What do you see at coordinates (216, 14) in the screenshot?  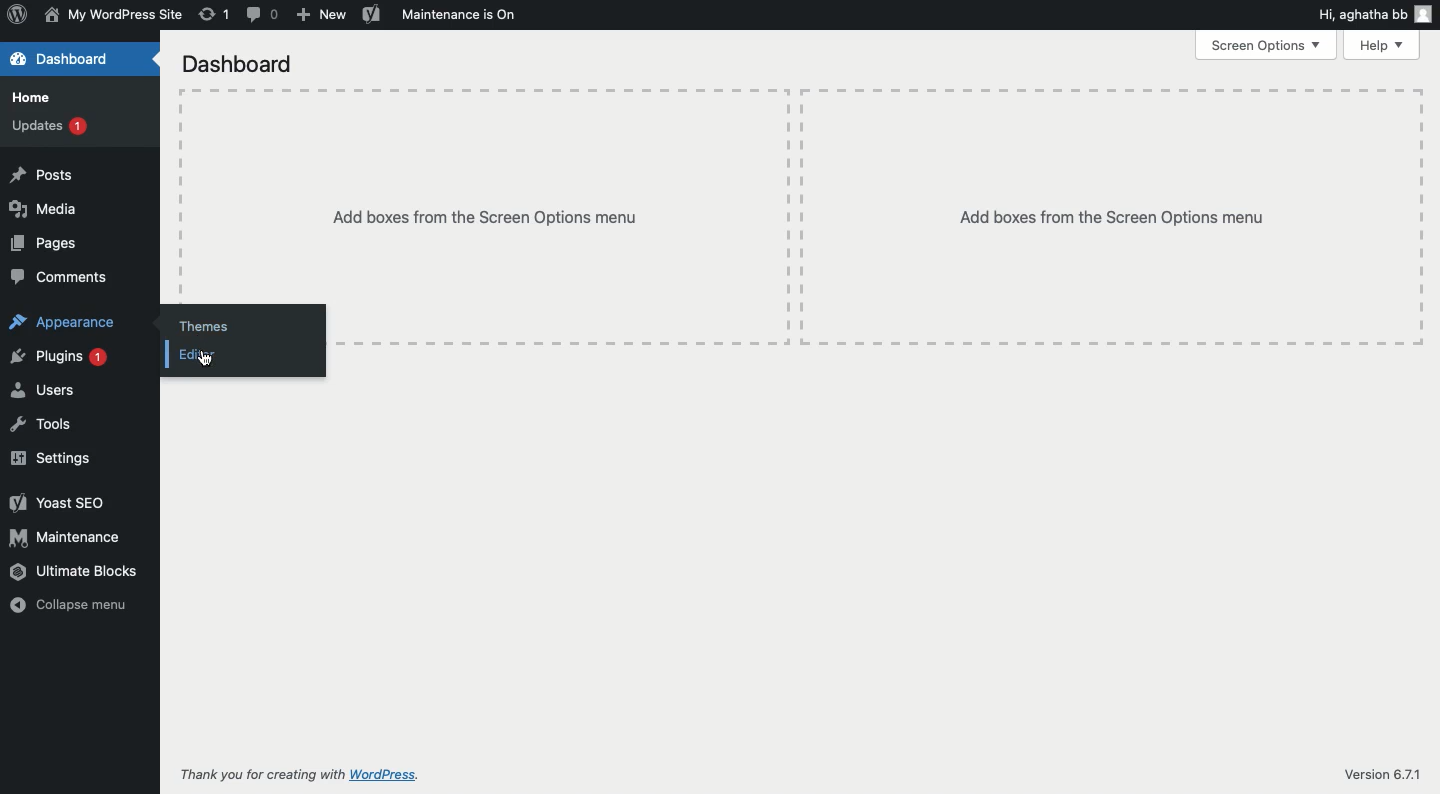 I see `Revision` at bounding box center [216, 14].